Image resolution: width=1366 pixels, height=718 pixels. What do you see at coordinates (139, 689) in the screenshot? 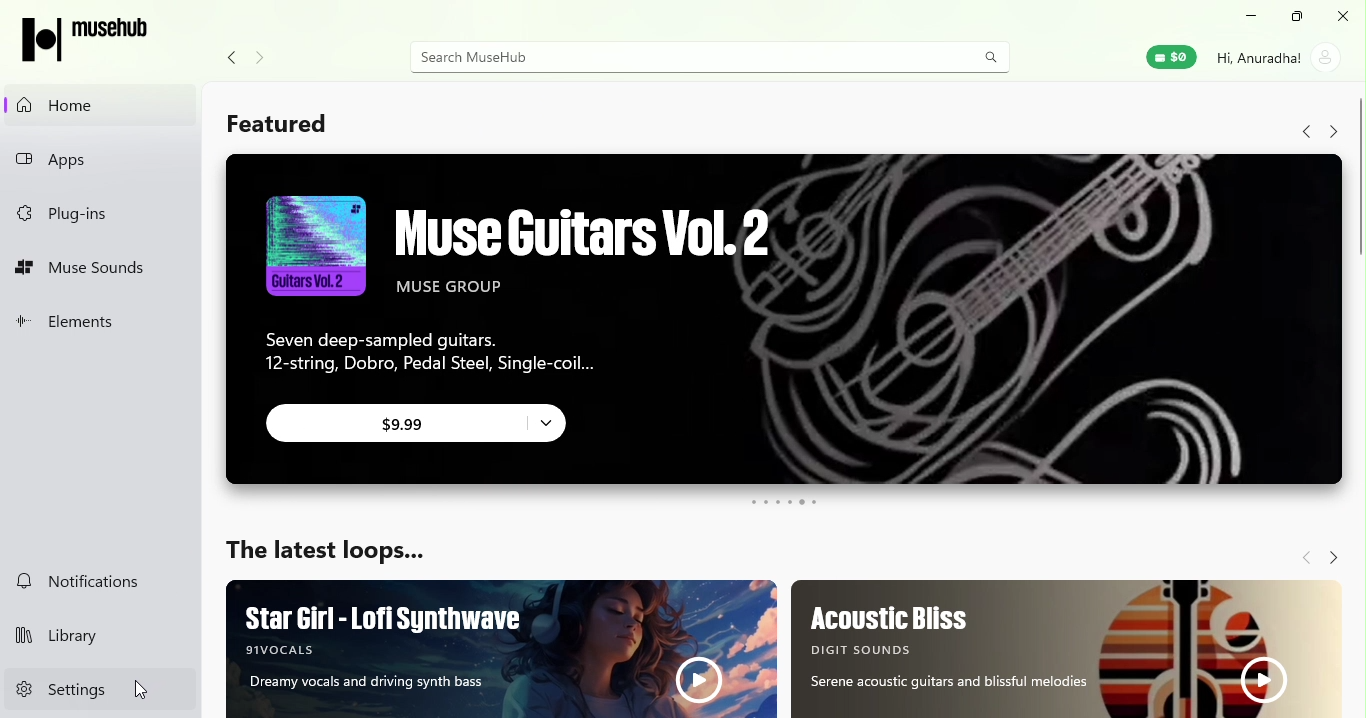
I see `cursor` at bounding box center [139, 689].